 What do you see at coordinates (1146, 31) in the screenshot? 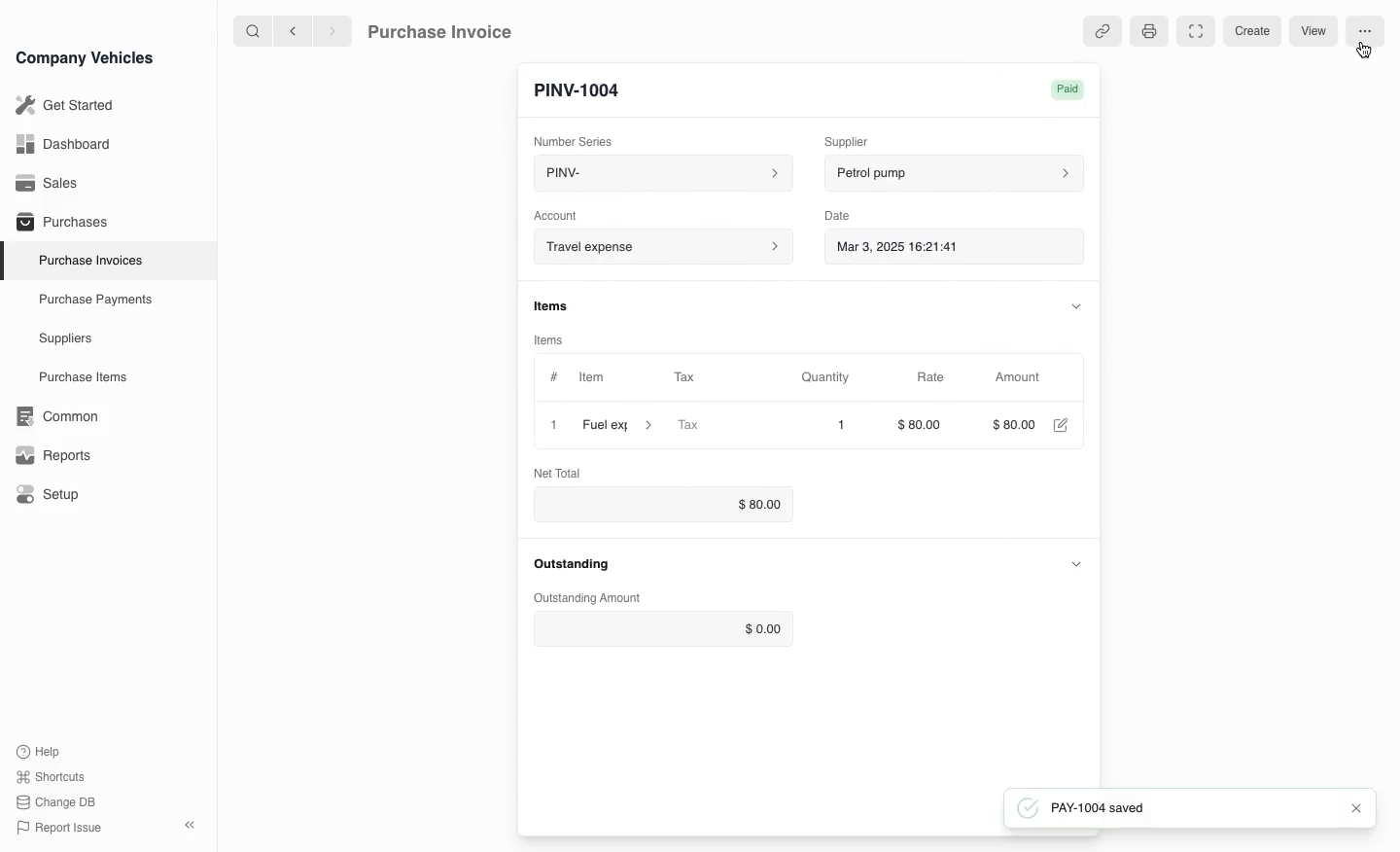
I see `print` at bounding box center [1146, 31].